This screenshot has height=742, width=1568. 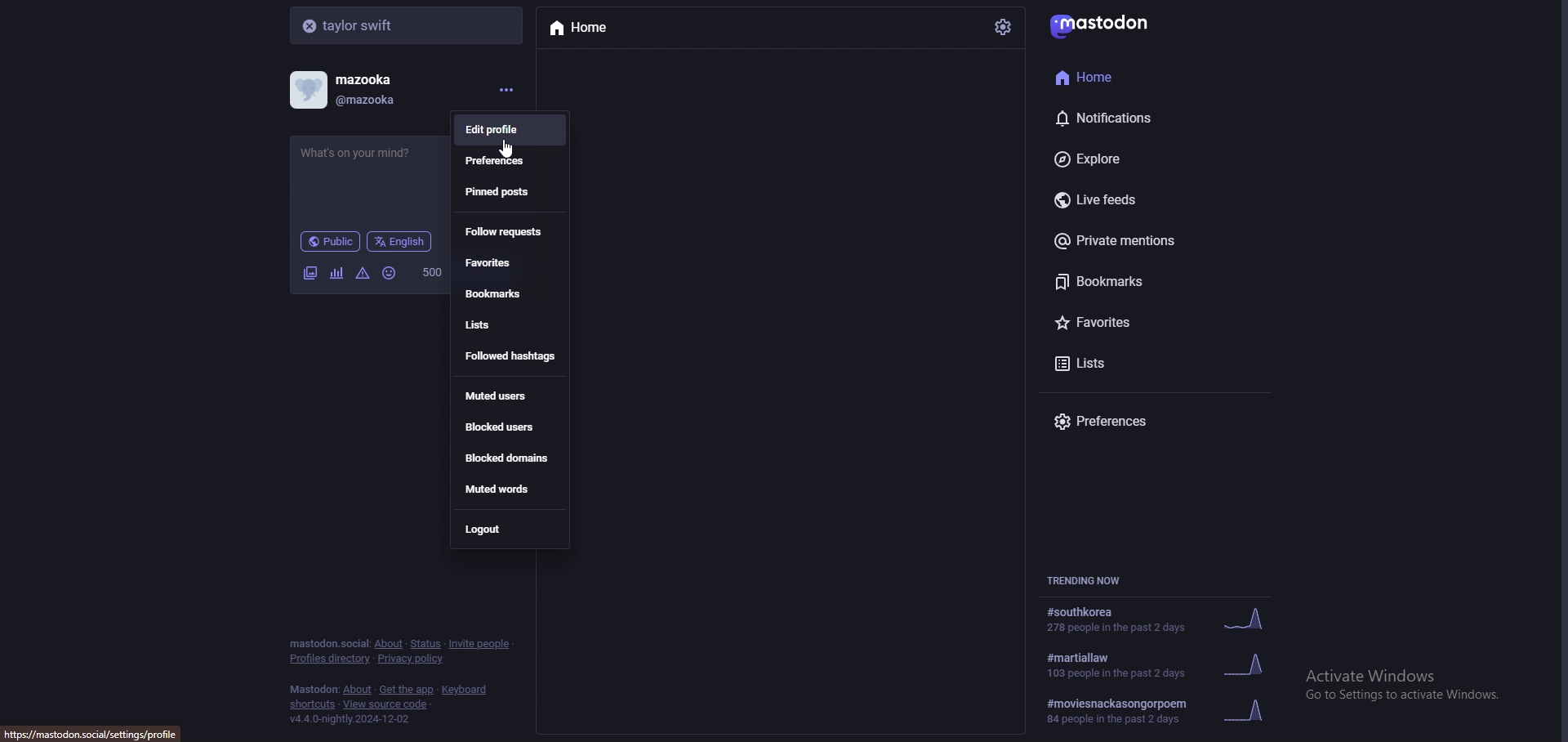 What do you see at coordinates (314, 689) in the screenshot?
I see `mastodon` at bounding box center [314, 689].